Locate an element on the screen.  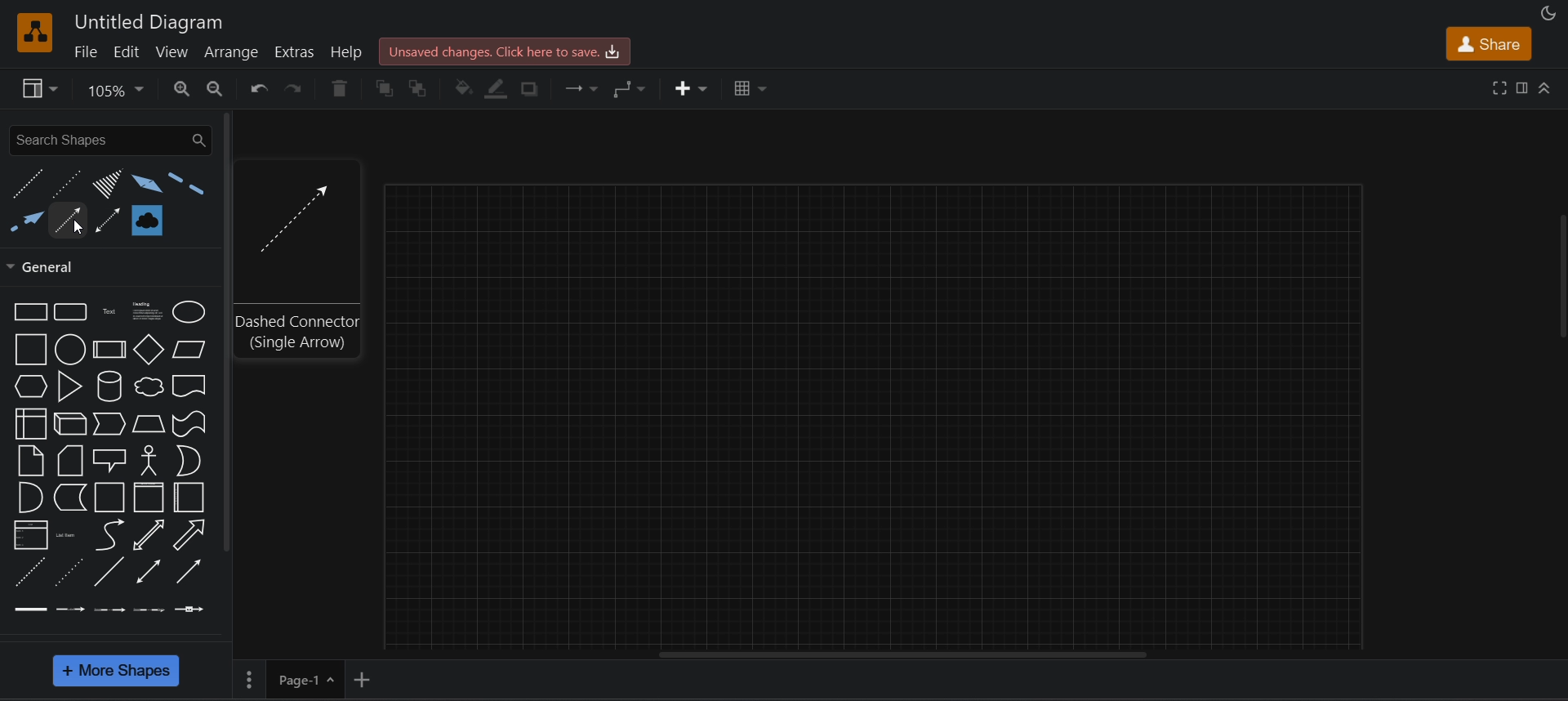
dashed line 2 is located at coordinates (187, 185).